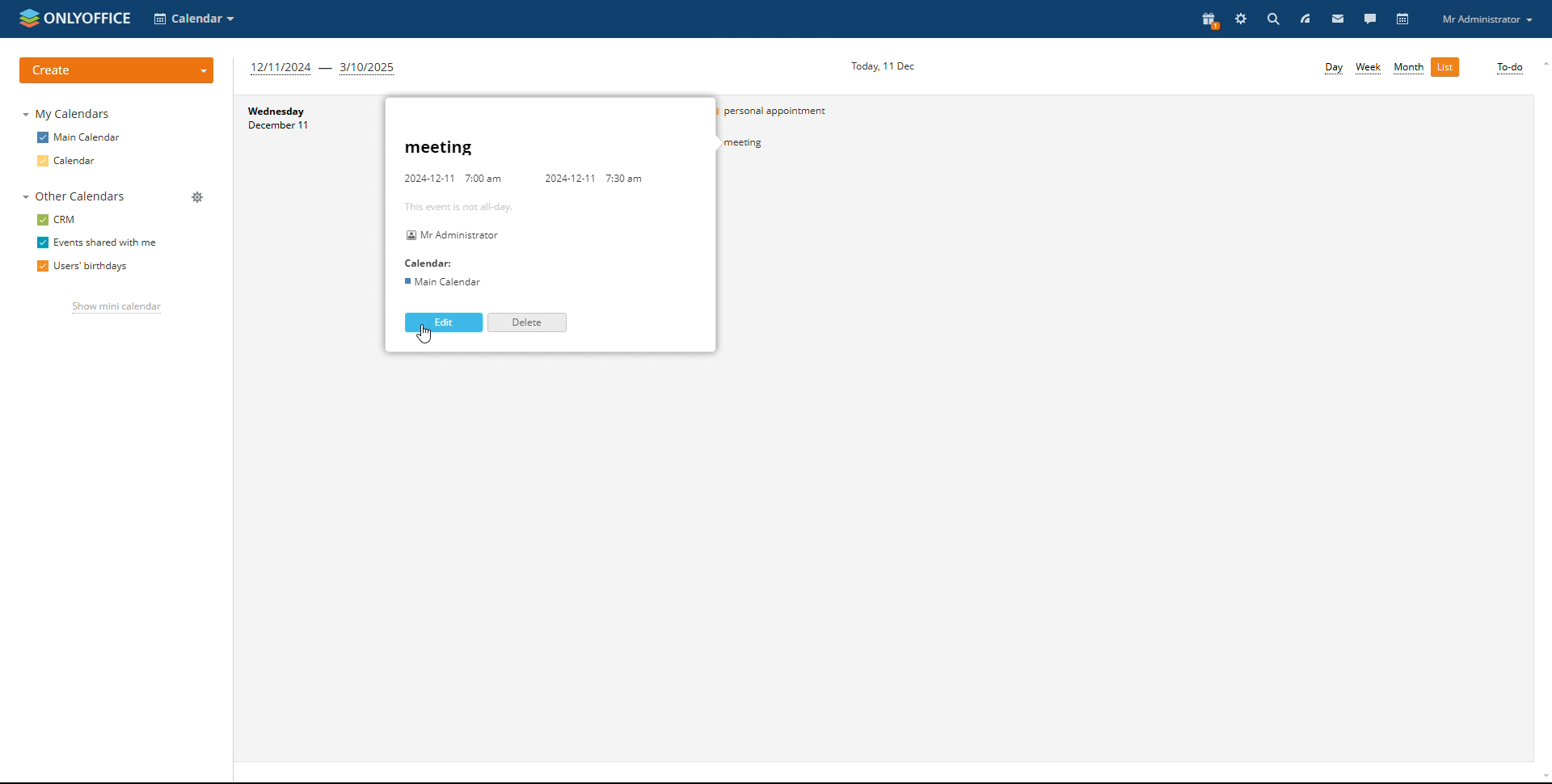 The width and height of the screenshot is (1552, 784). What do you see at coordinates (1335, 69) in the screenshot?
I see `day view` at bounding box center [1335, 69].